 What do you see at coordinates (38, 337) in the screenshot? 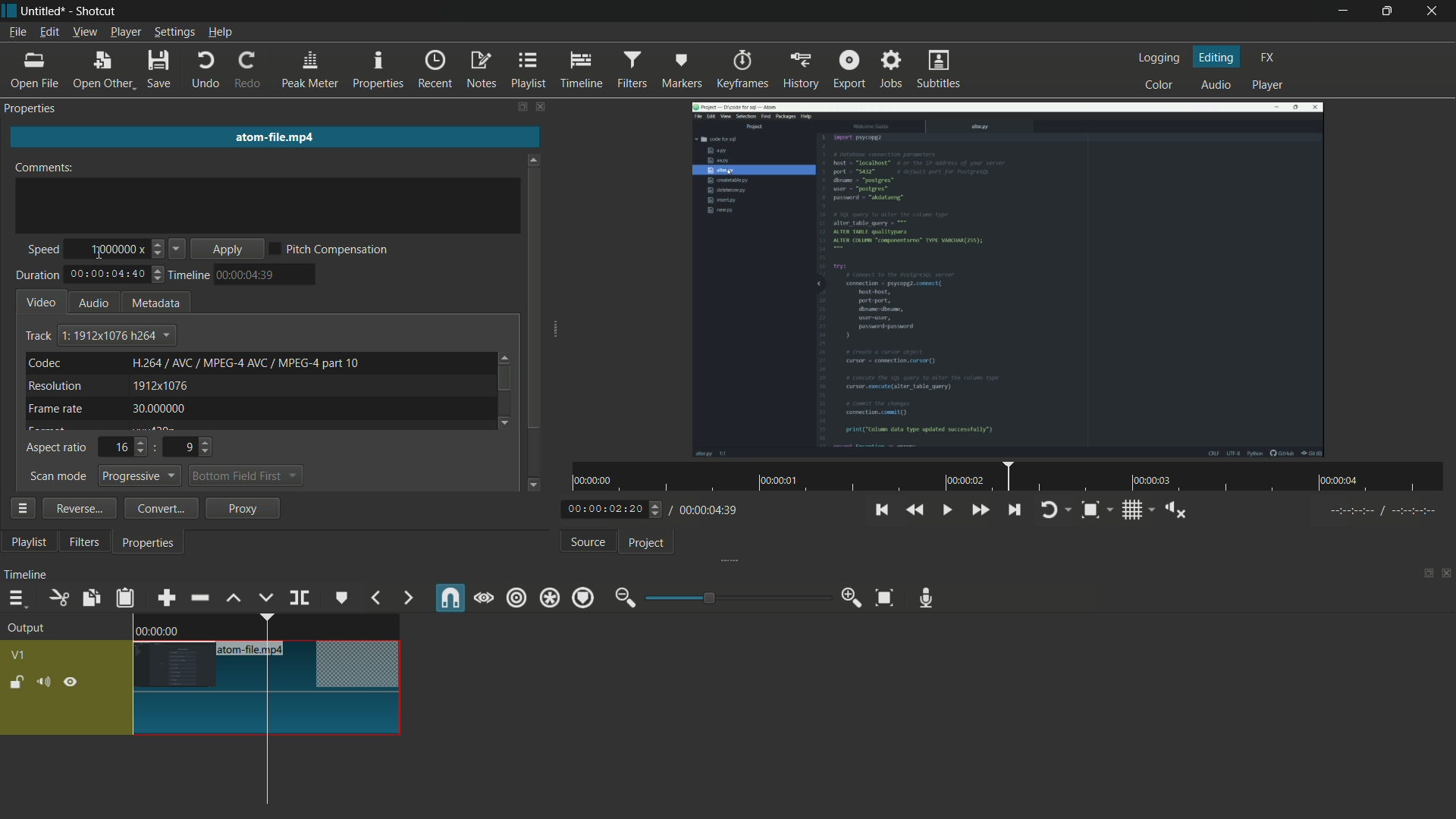
I see `track` at bounding box center [38, 337].